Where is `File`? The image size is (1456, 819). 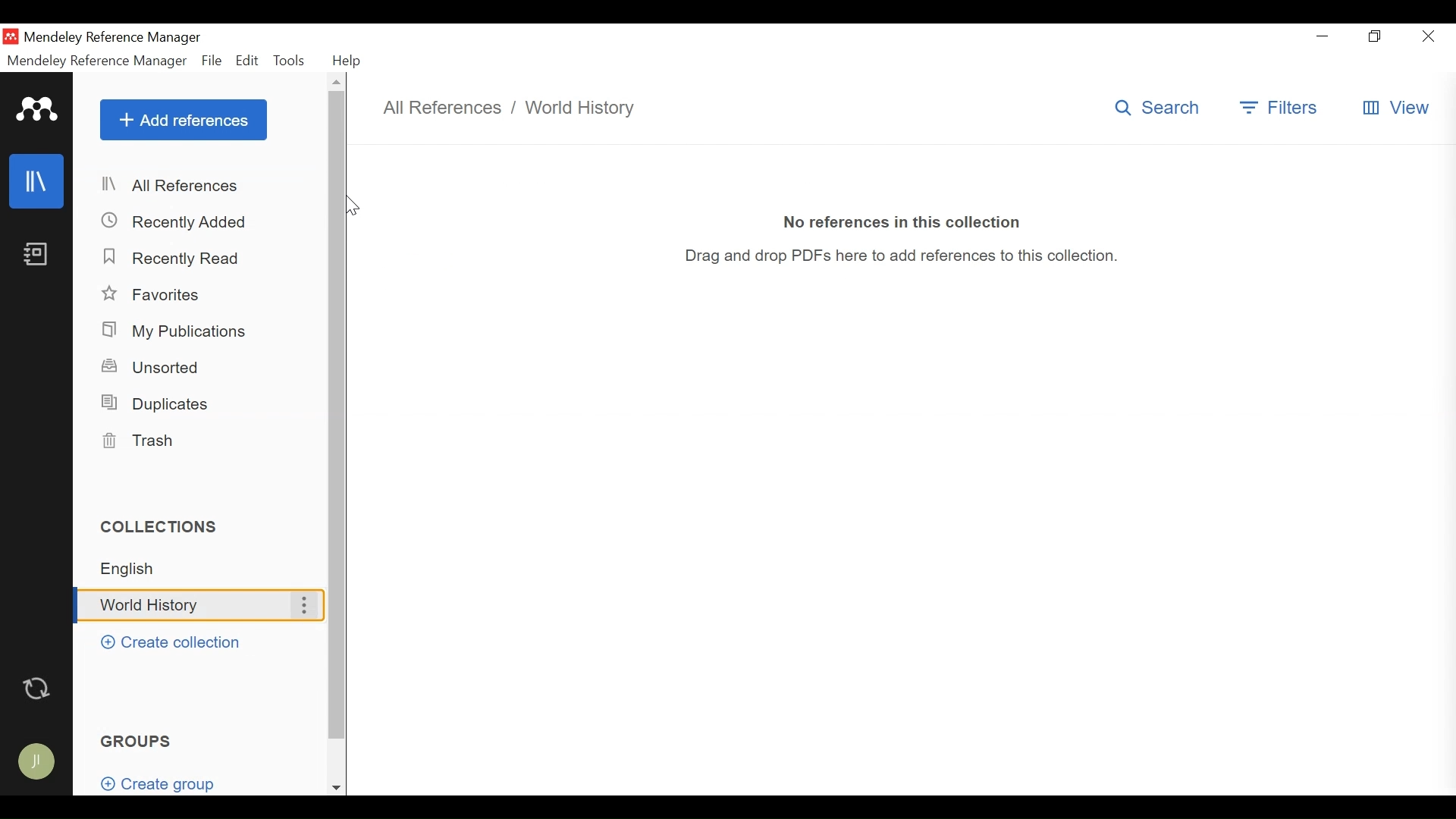 File is located at coordinates (212, 61).